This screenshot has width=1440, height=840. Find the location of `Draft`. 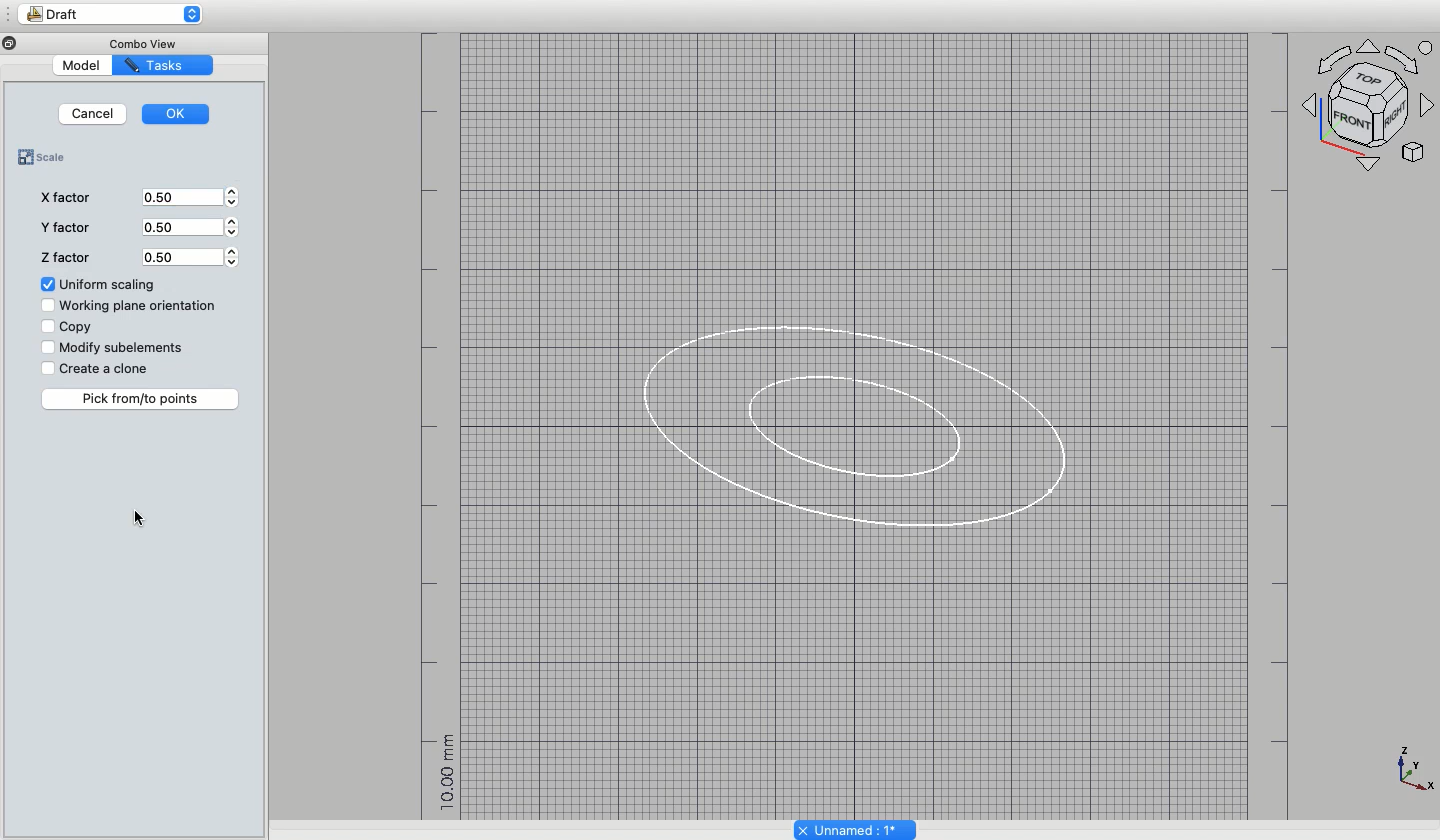

Draft is located at coordinates (120, 15).